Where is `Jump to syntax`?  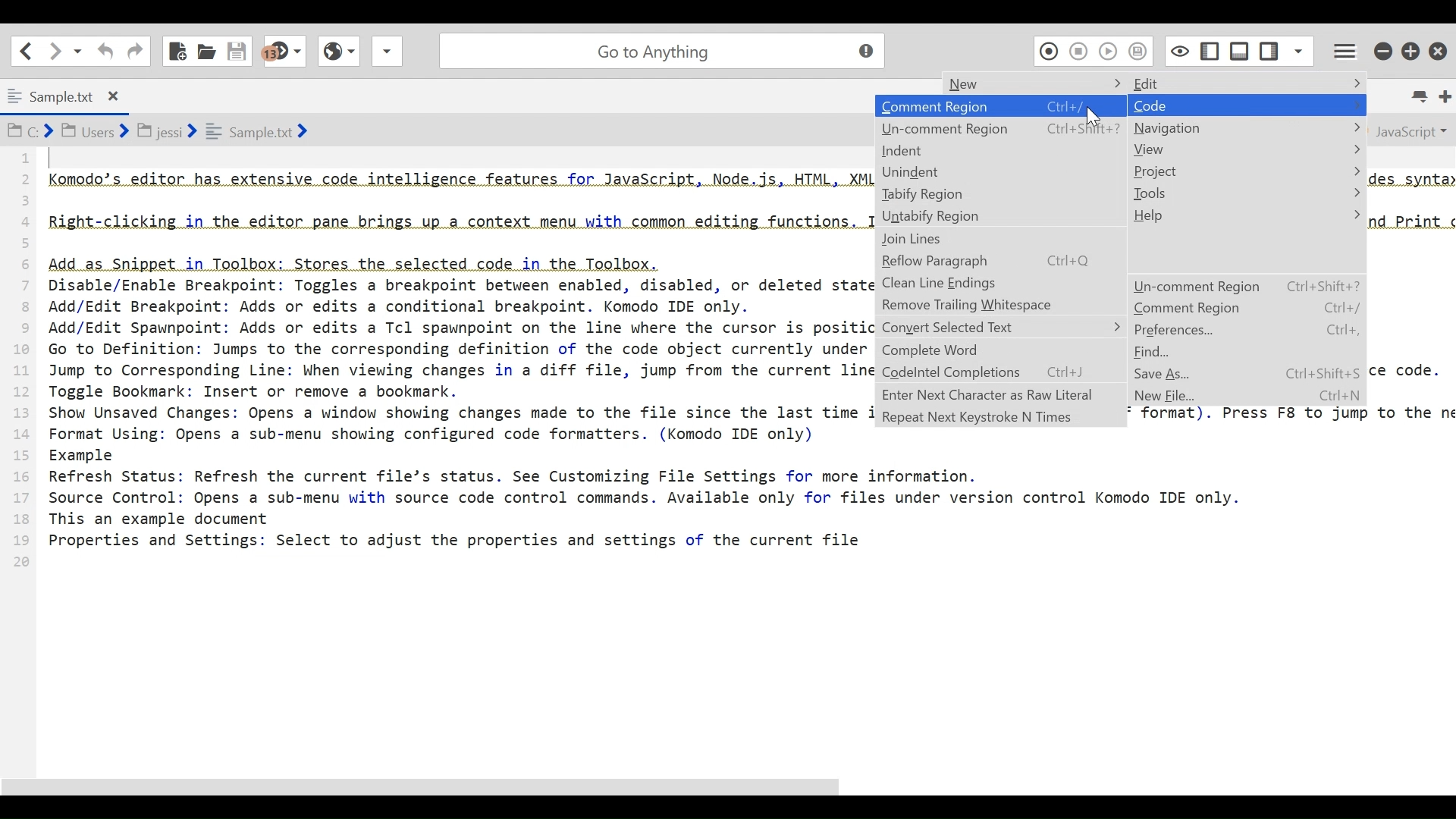 Jump to syntax is located at coordinates (286, 52).